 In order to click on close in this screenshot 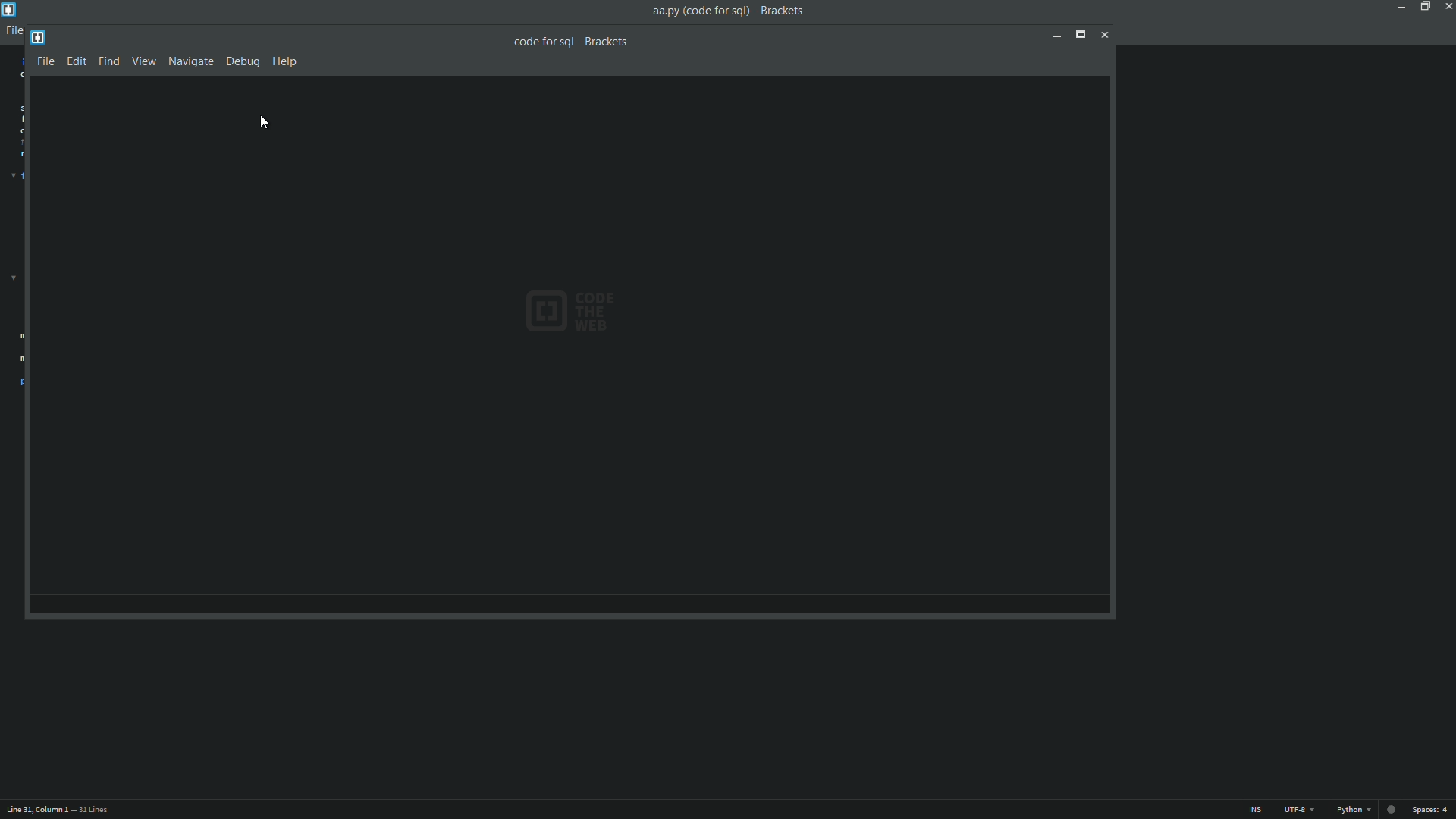, I will do `click(1106, 37)`.